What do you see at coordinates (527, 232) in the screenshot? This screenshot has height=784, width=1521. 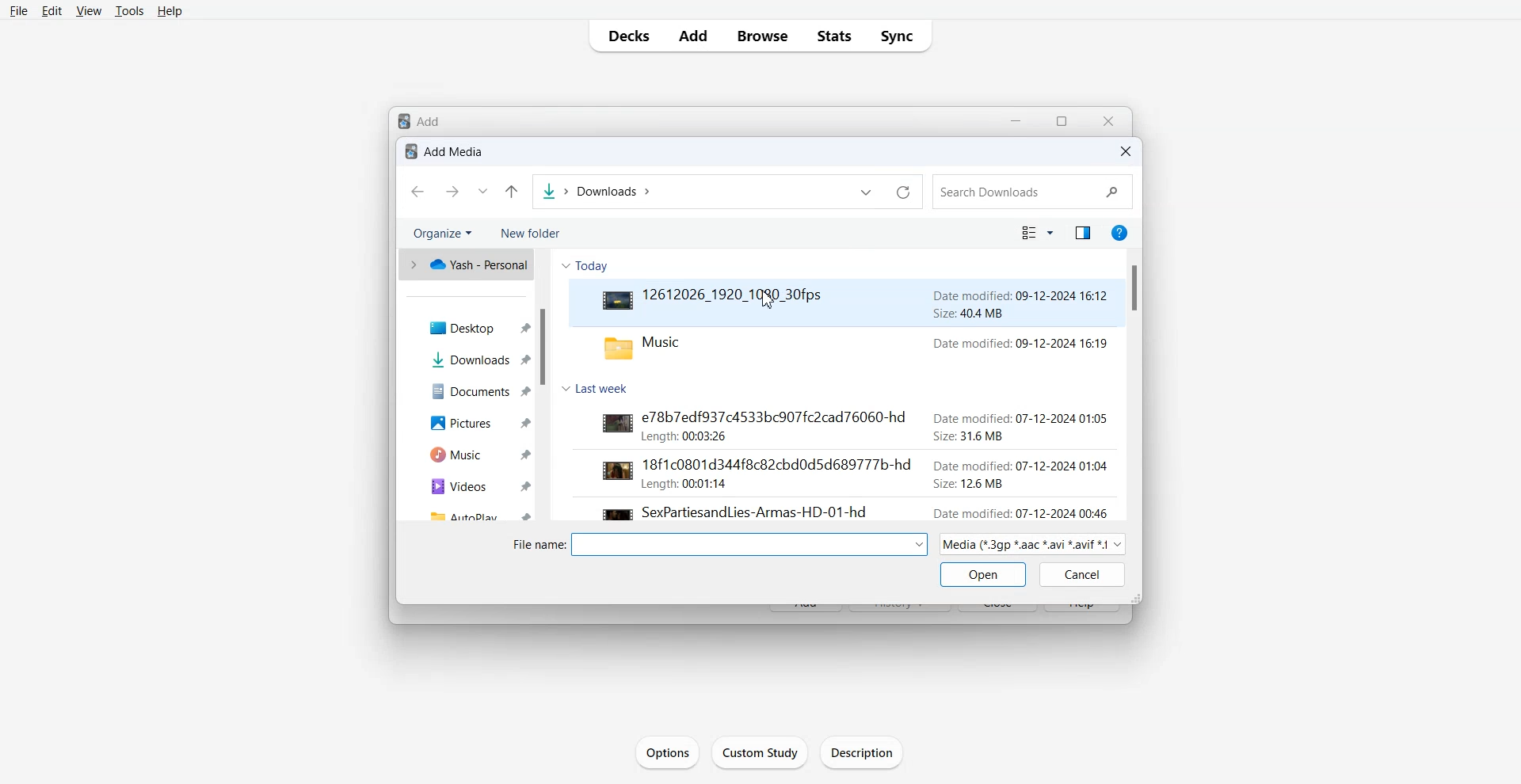 I see `New folder` at bounding box center [527, 232].